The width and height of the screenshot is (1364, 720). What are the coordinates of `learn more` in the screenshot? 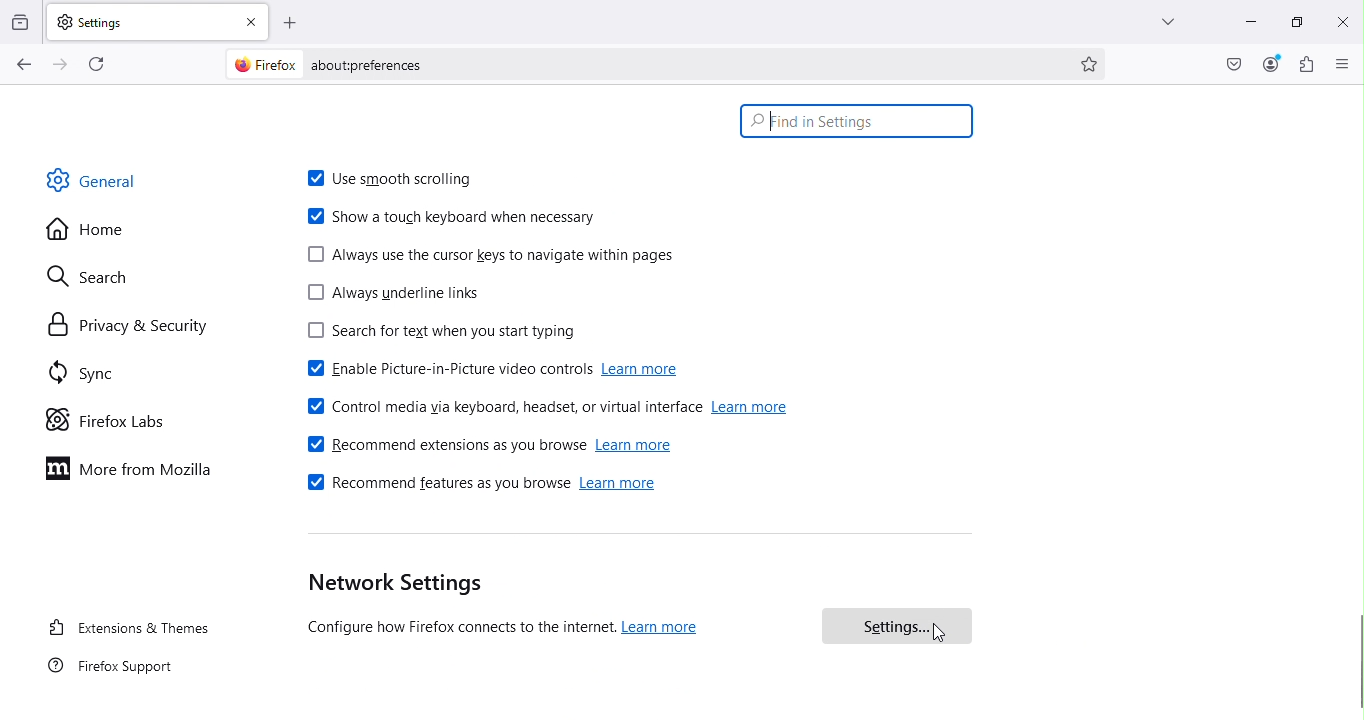 It's located at (663, 627).